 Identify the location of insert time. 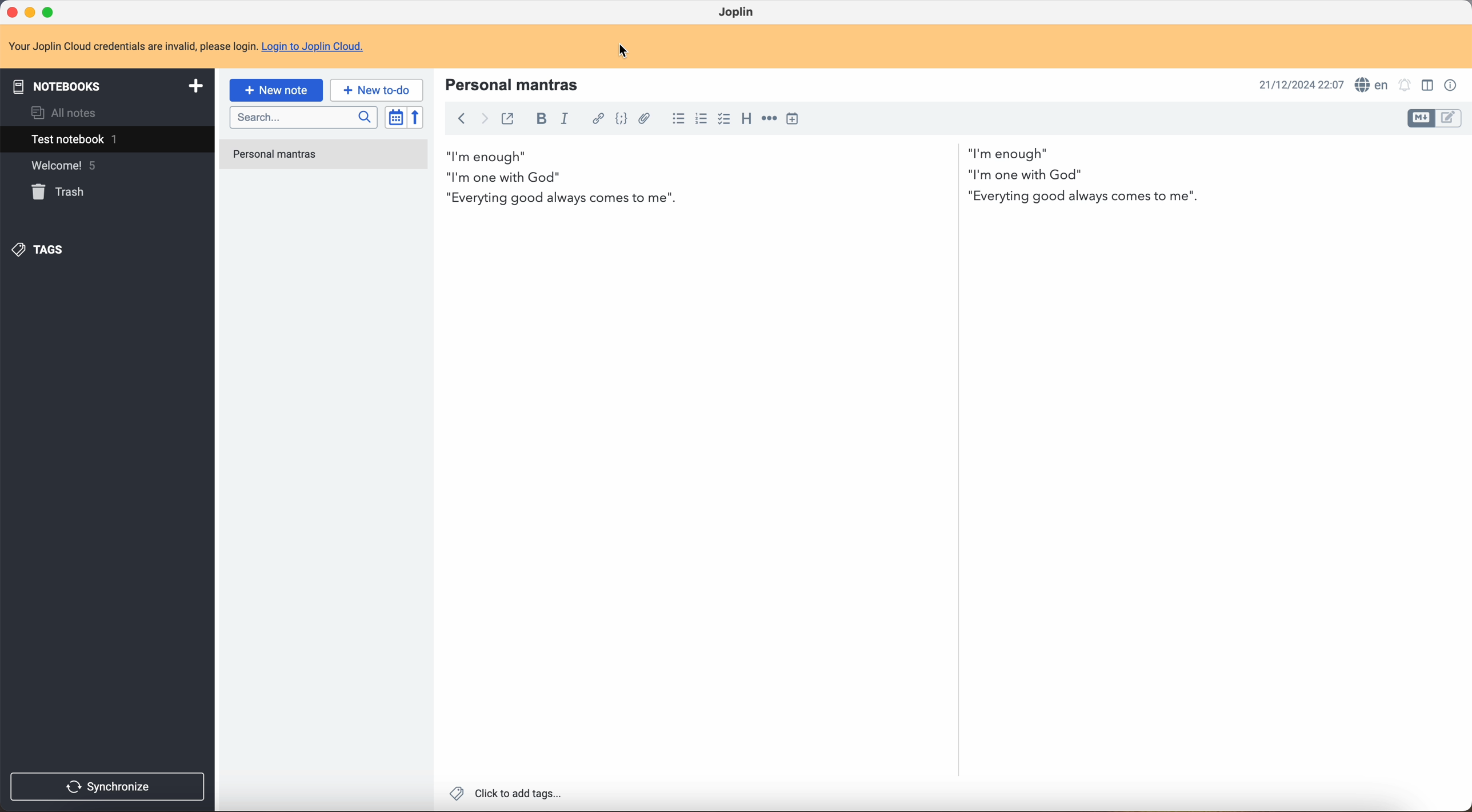
(795, 119).